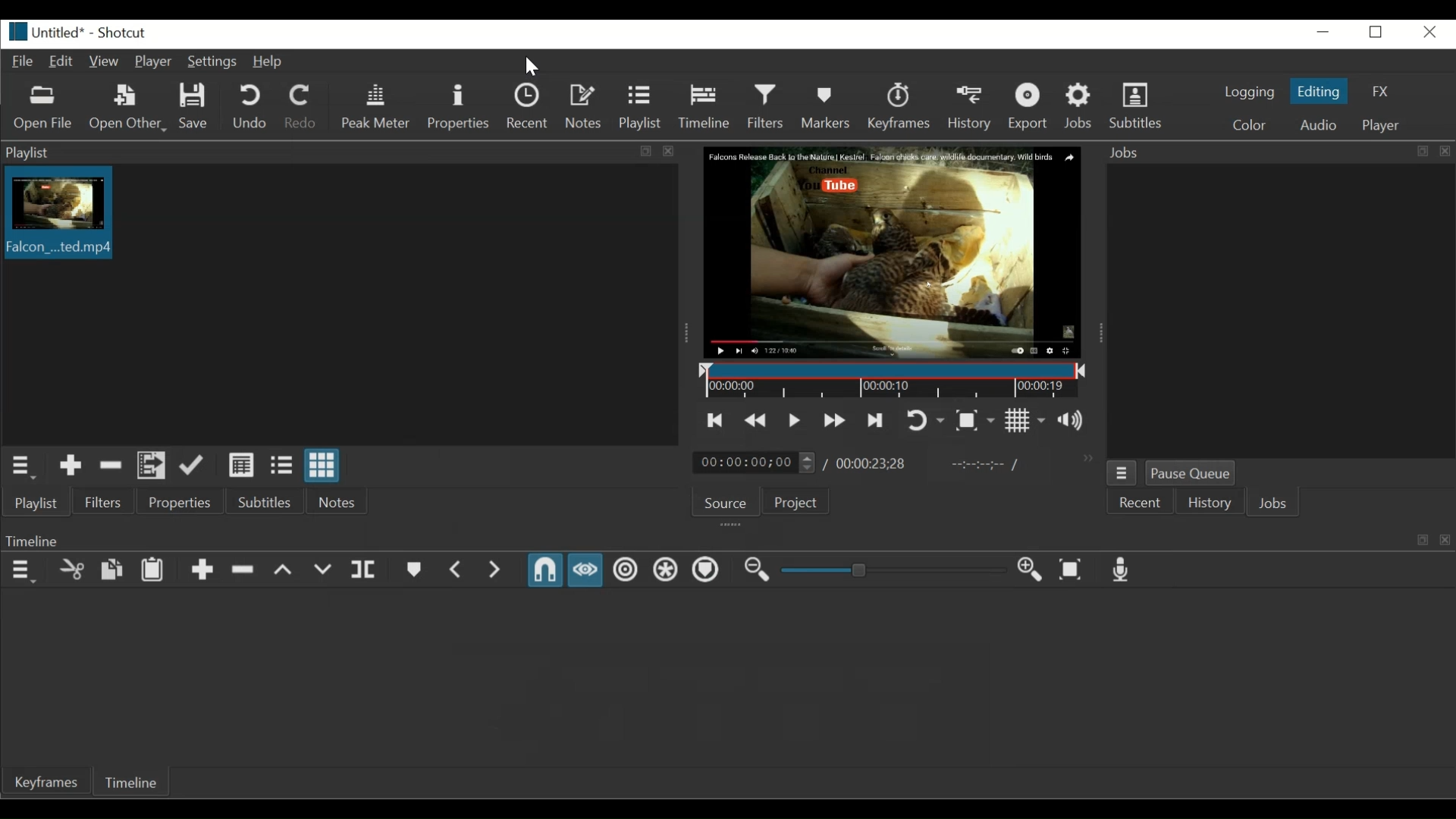  What do you see at coordinates (199, 568) in the screenshot?
I see `Append` at bounding box center [199, 568].